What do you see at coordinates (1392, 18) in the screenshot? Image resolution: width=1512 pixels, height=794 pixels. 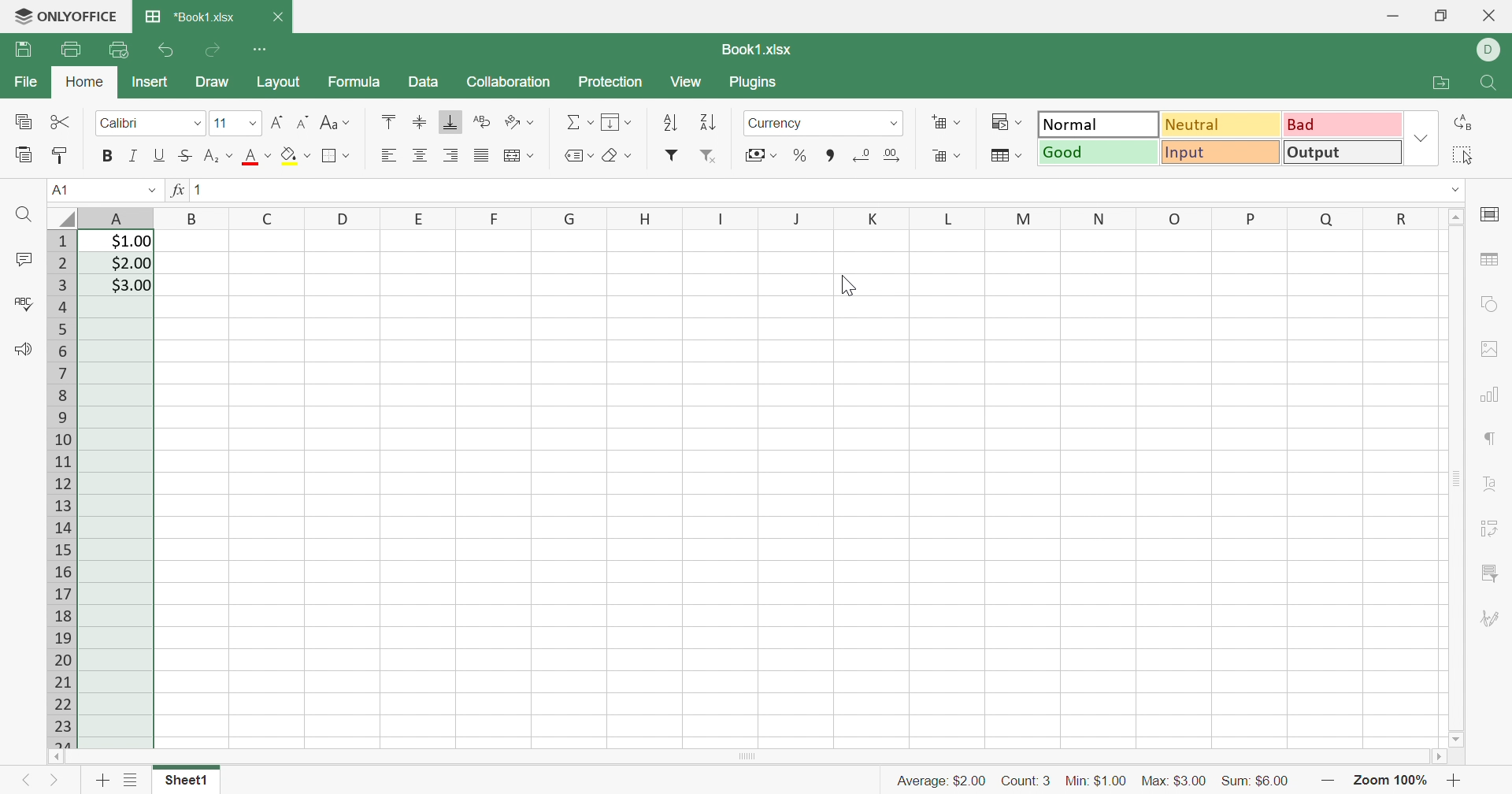 I see `Minimize` at bounding box center [1392, 18].